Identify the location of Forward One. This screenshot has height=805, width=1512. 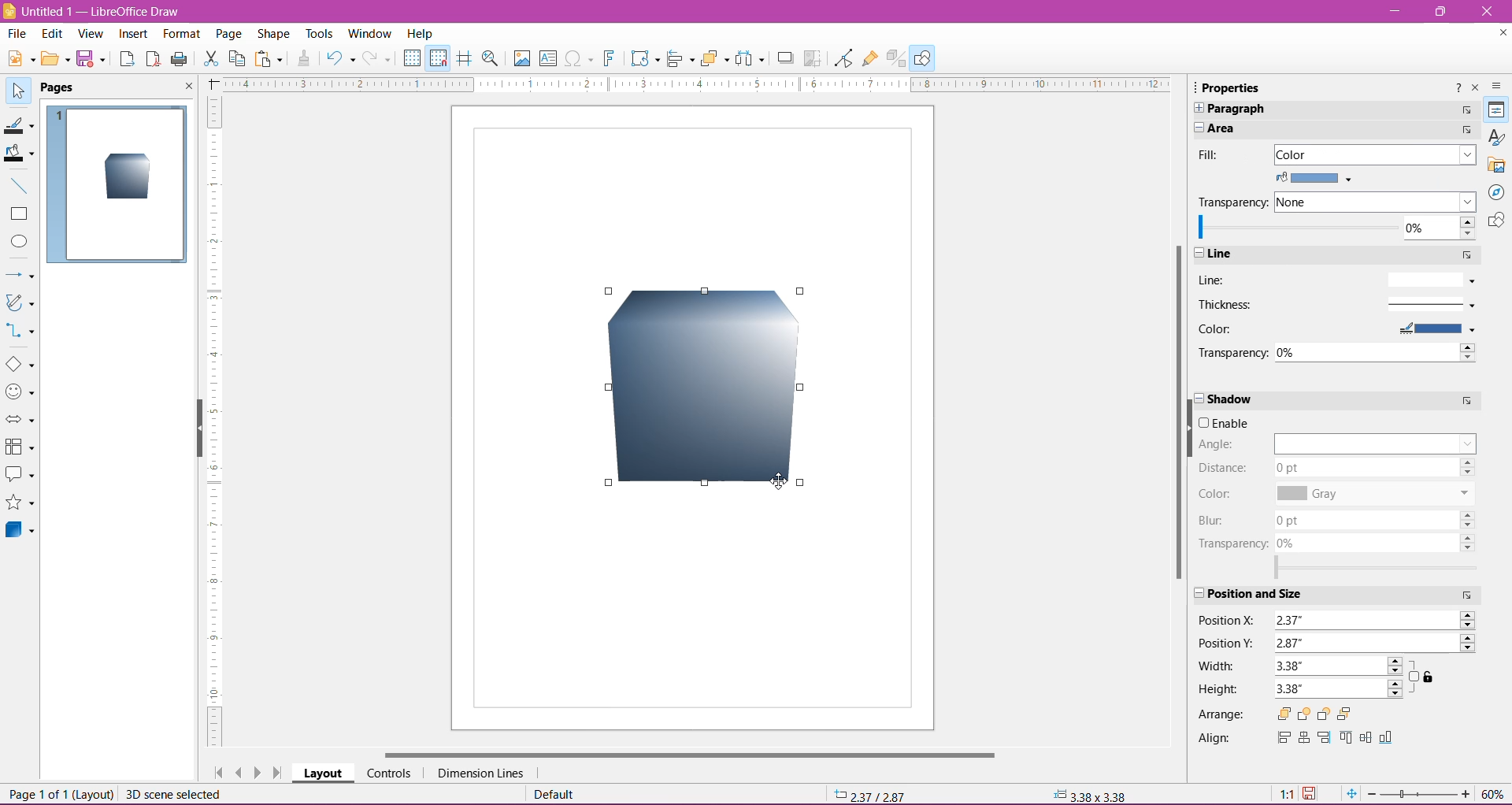
(1303, 715).